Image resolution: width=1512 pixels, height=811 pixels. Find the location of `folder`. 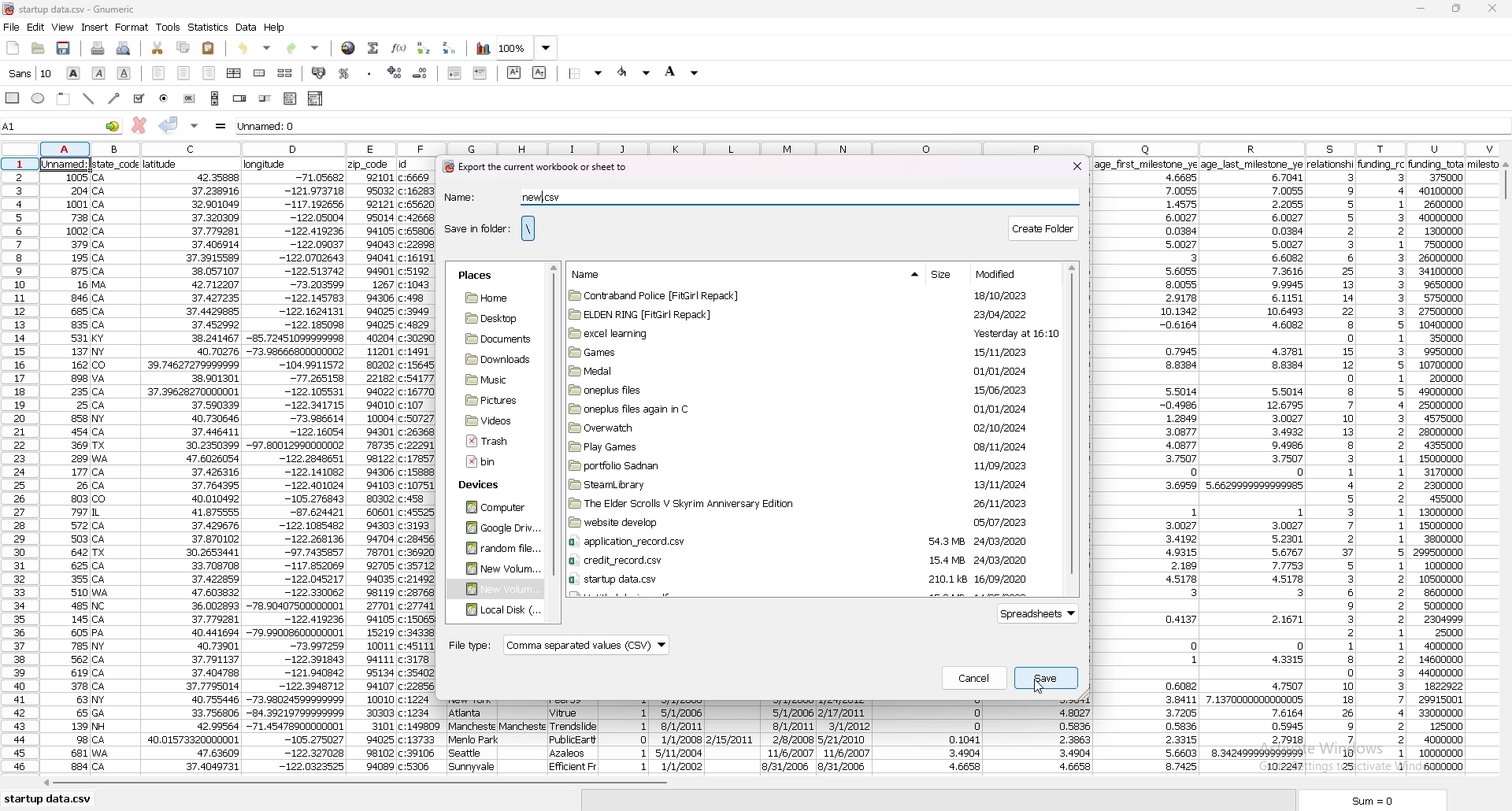

folder is located at coordinates (493, 508).